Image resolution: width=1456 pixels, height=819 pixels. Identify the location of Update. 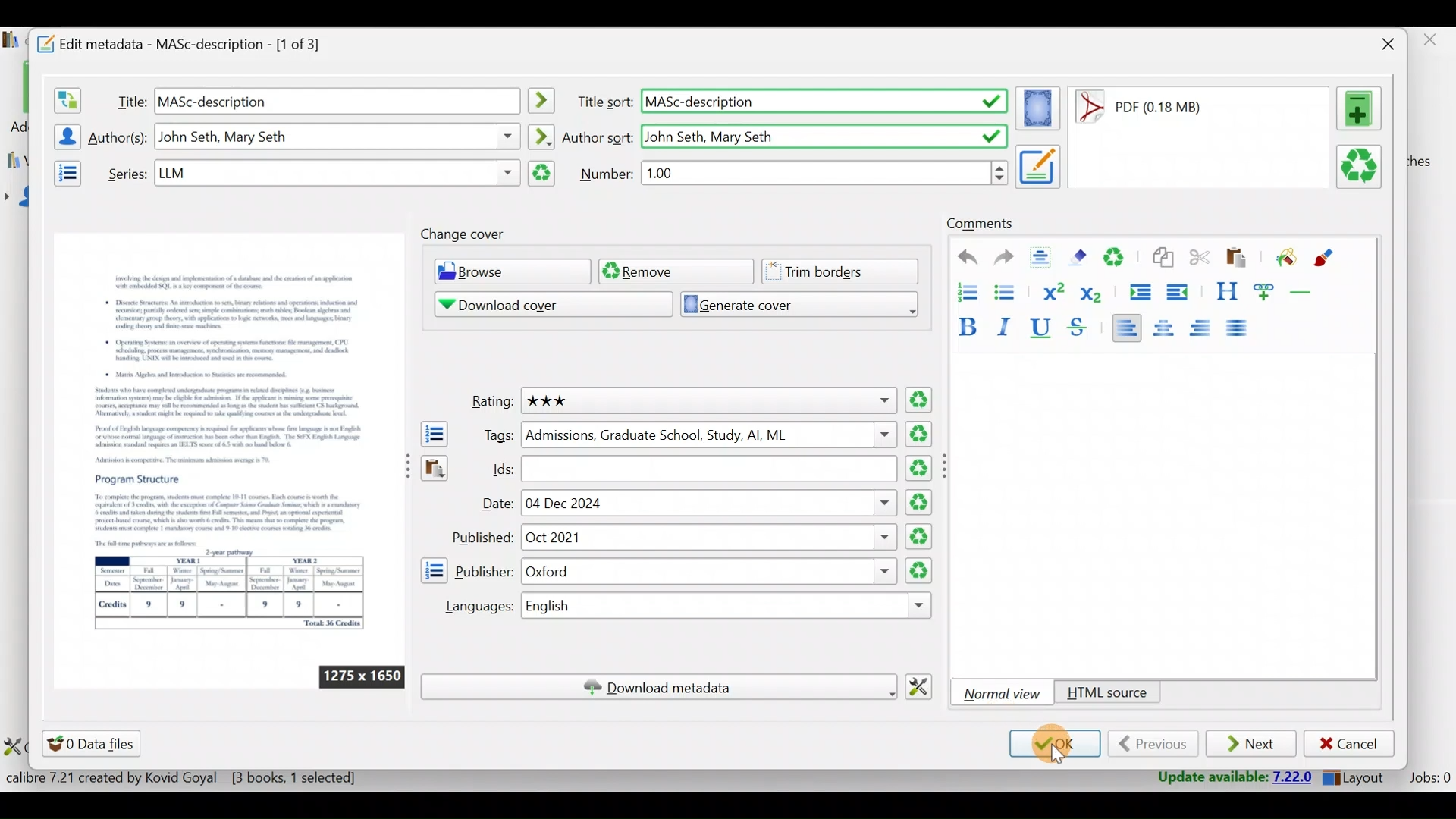
(1226, 777).